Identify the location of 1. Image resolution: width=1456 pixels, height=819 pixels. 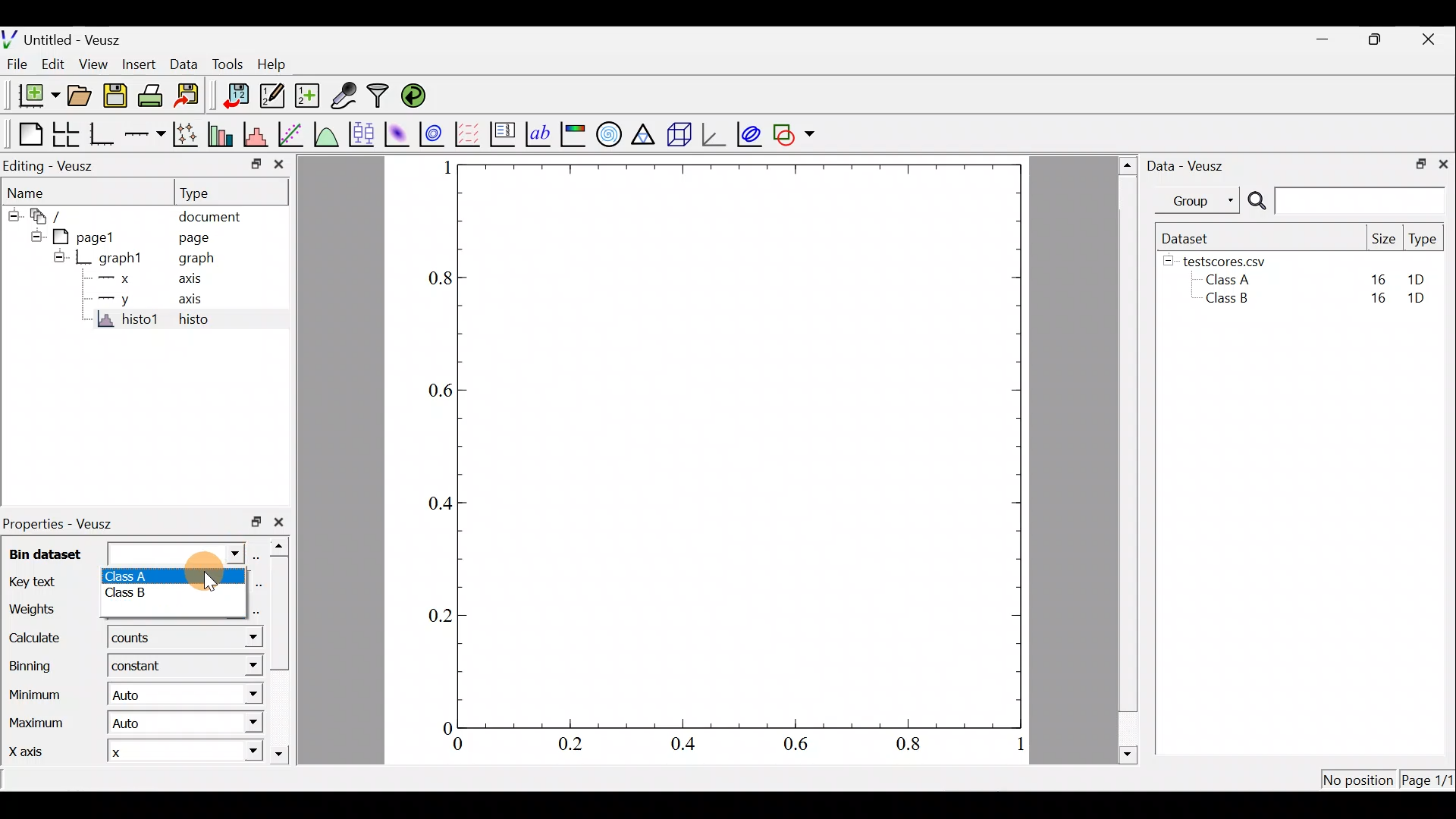
(1016, 745).